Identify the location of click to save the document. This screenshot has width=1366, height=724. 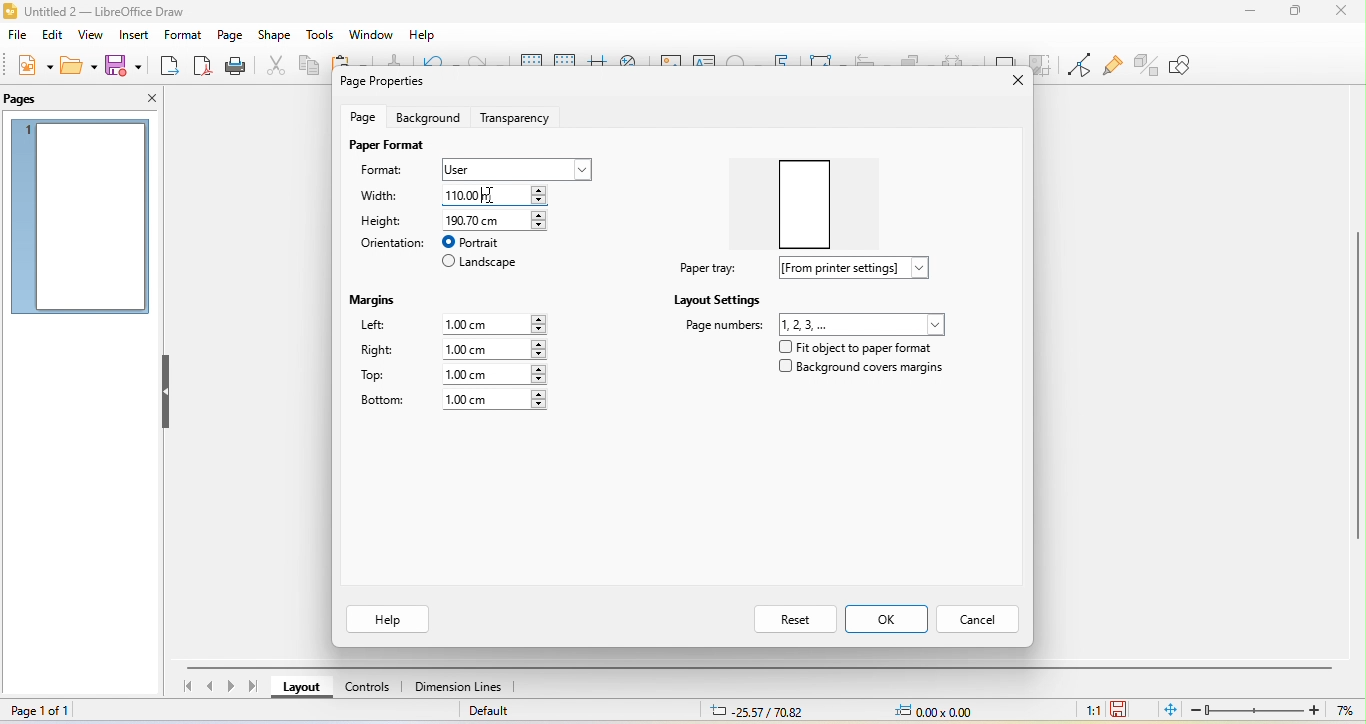
(1120, 708).